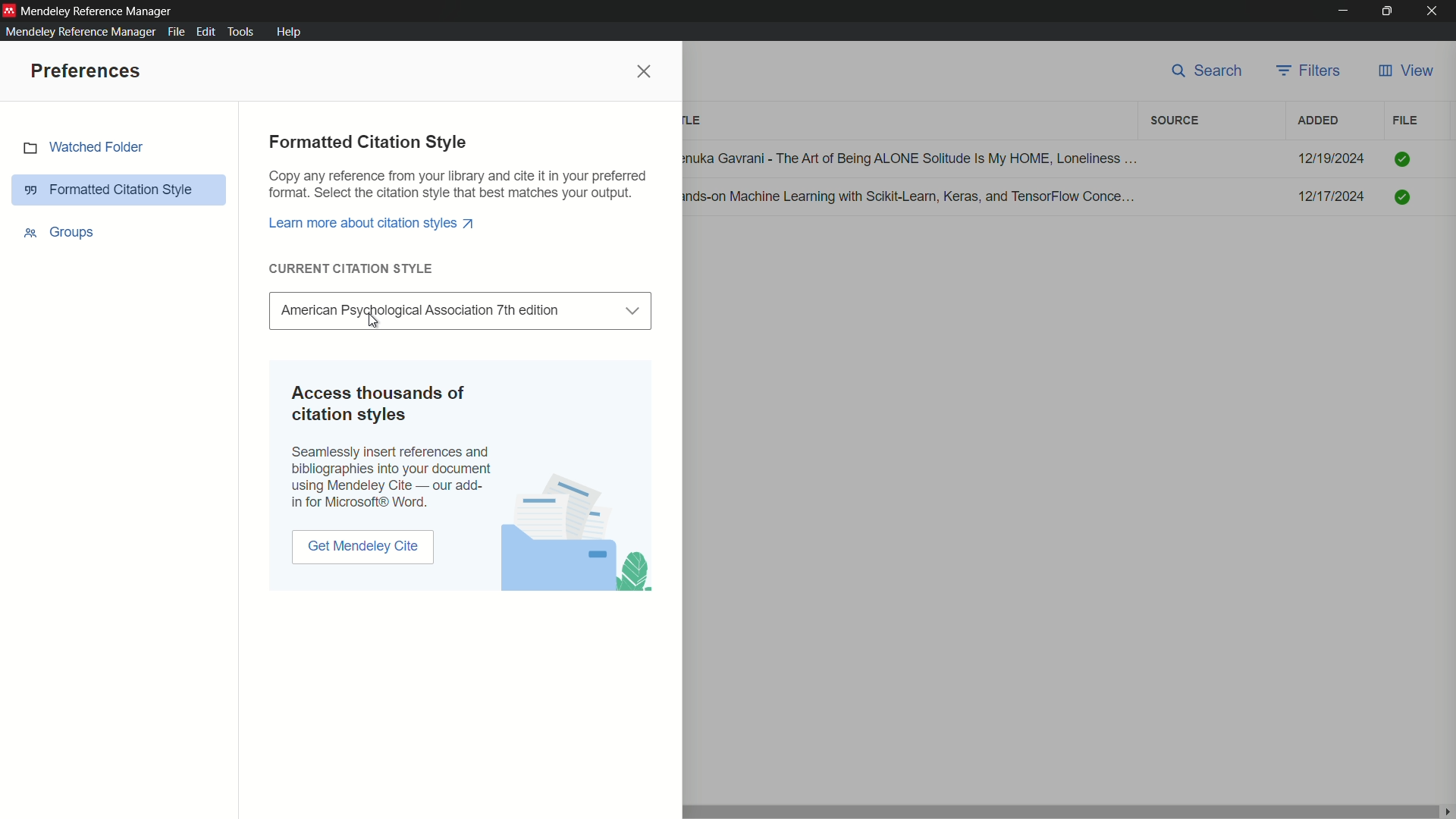 The width and height of the screenshot is (1456, 819). I want to click on file menu, so click(177, 33).